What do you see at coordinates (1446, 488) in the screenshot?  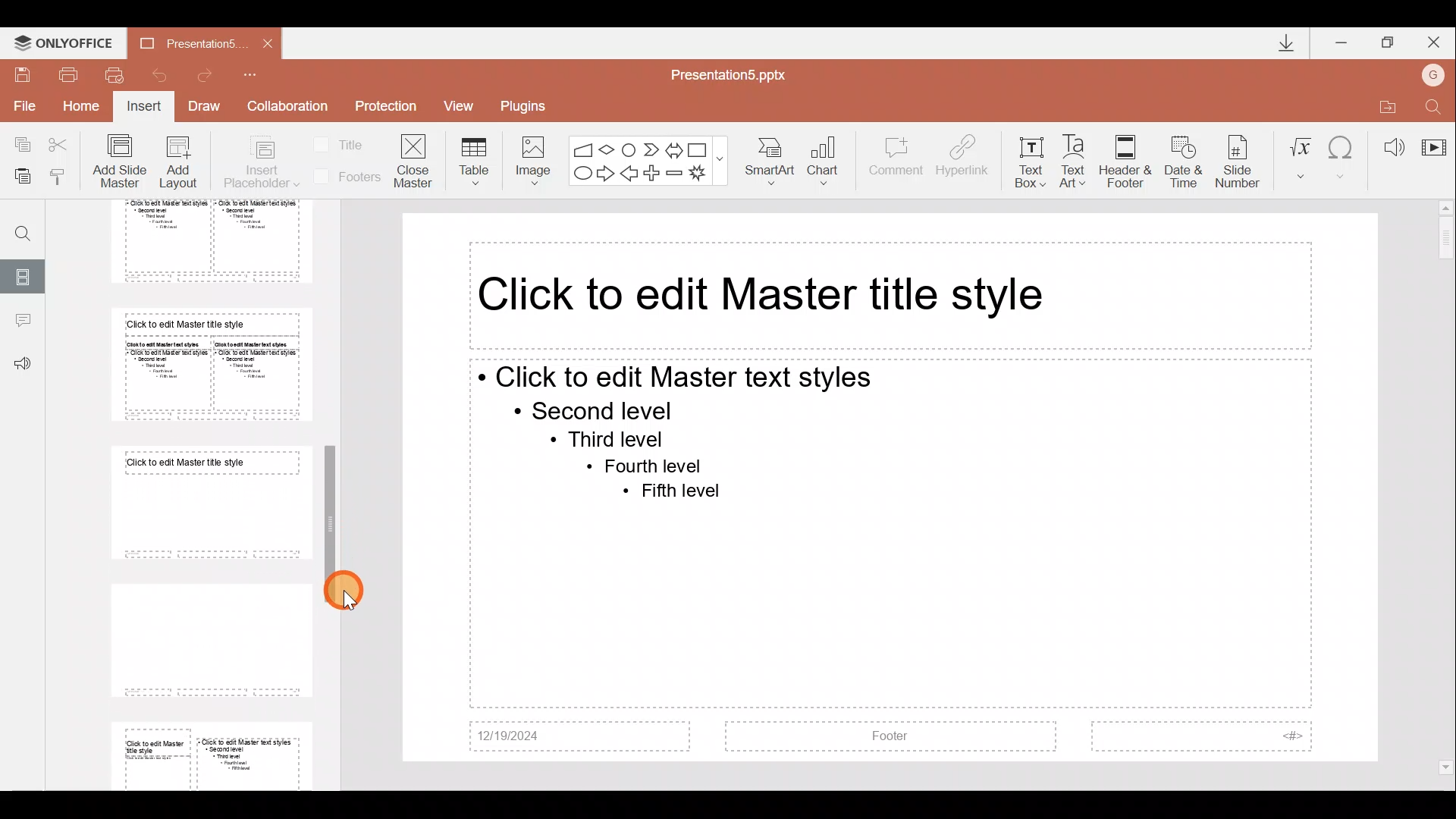 I see `Scroll bar` at bounding box center [1446, 488].